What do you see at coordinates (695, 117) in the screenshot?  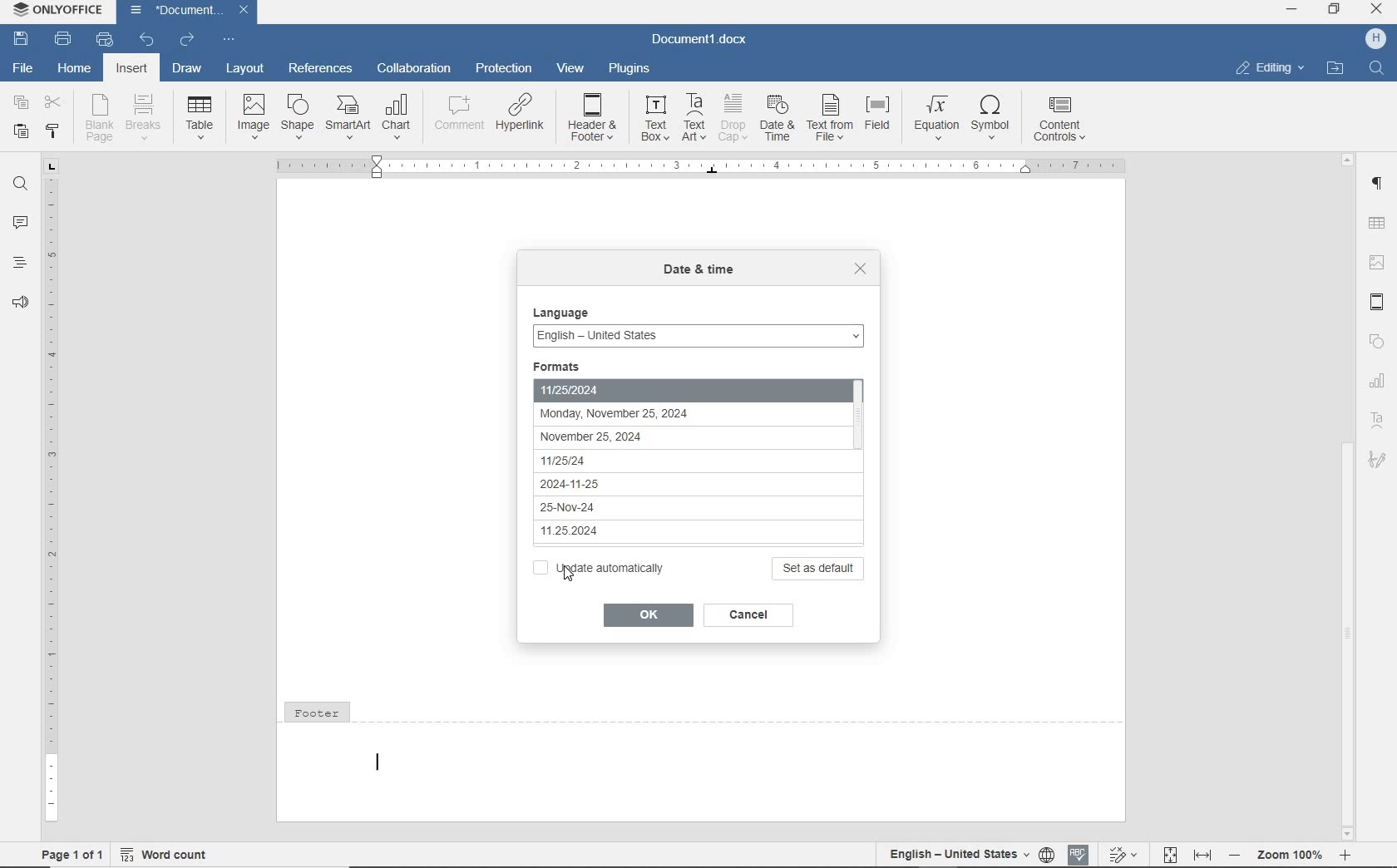 I see `text art` at bounding box center [695, 117].